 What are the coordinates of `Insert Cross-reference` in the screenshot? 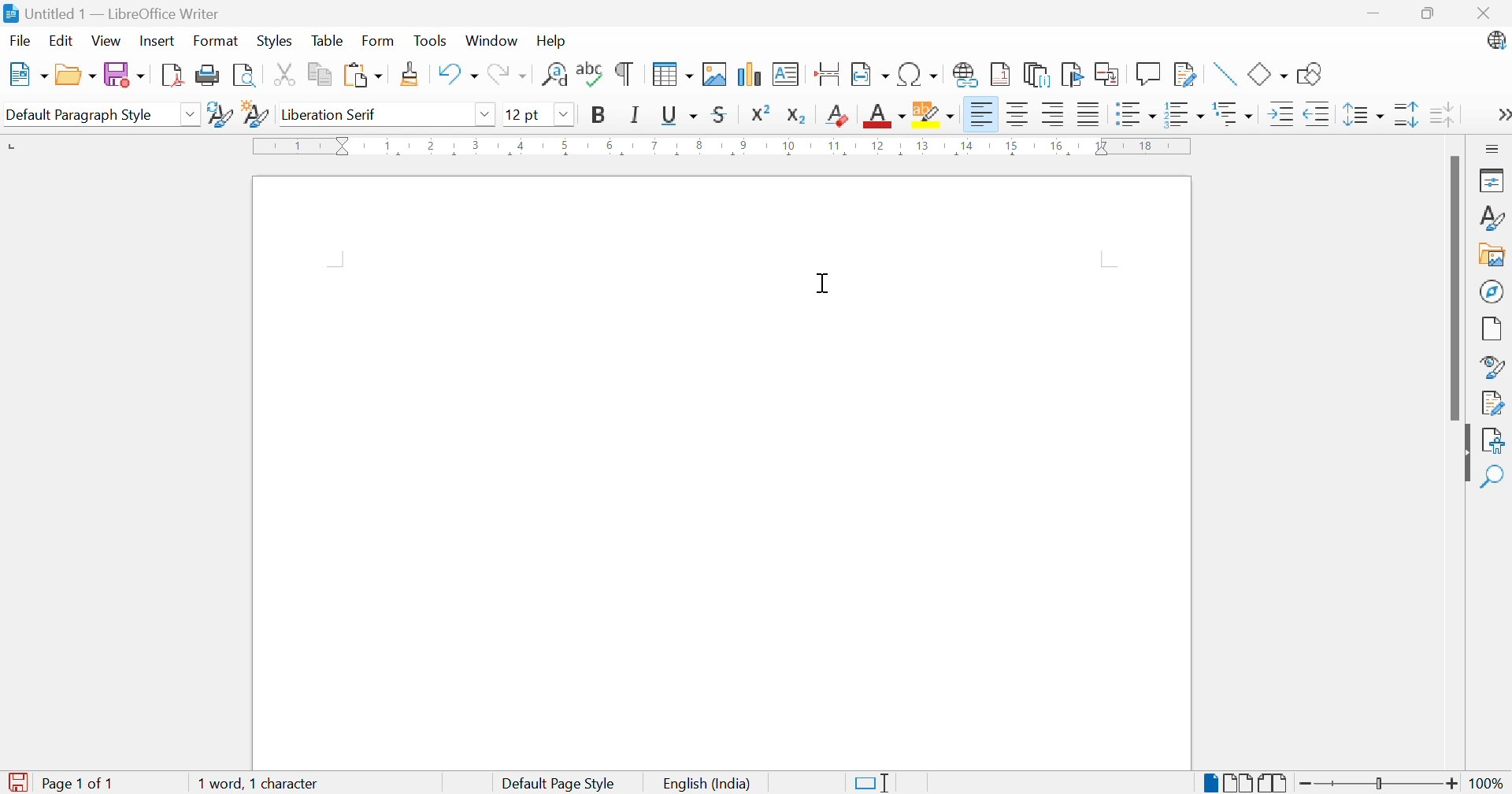 It's located at (1108, 74).